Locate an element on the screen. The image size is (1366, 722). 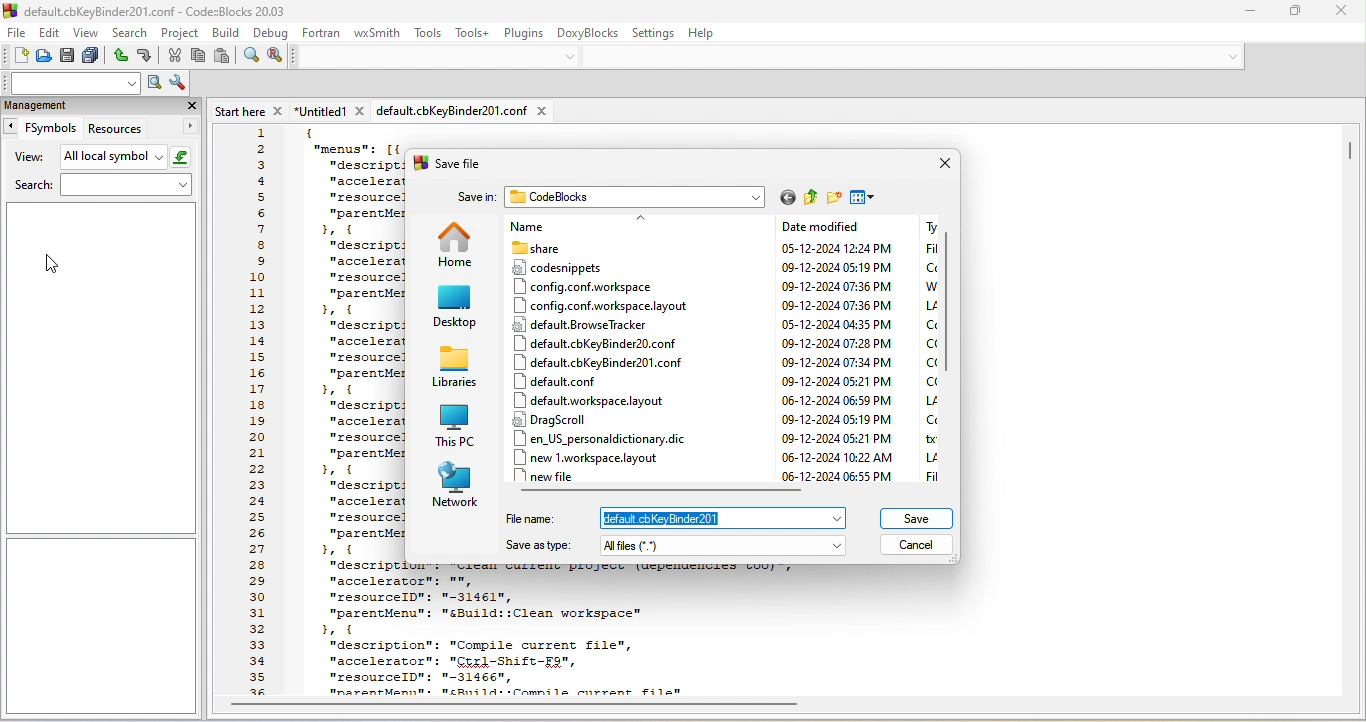
run search is located at coordinates (155, 83).